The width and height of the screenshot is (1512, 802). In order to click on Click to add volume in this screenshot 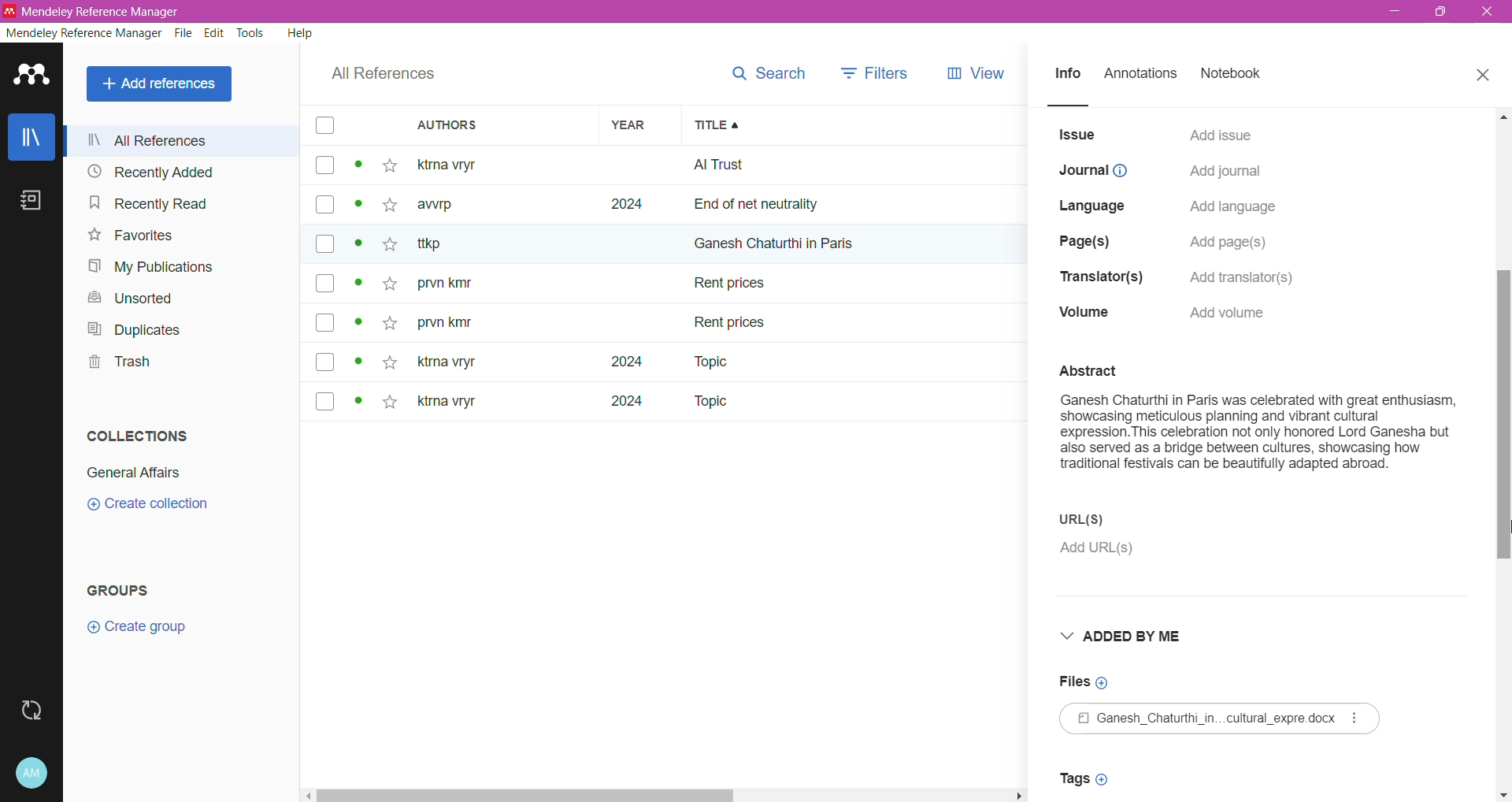, I will do `click(1233, 313)`.